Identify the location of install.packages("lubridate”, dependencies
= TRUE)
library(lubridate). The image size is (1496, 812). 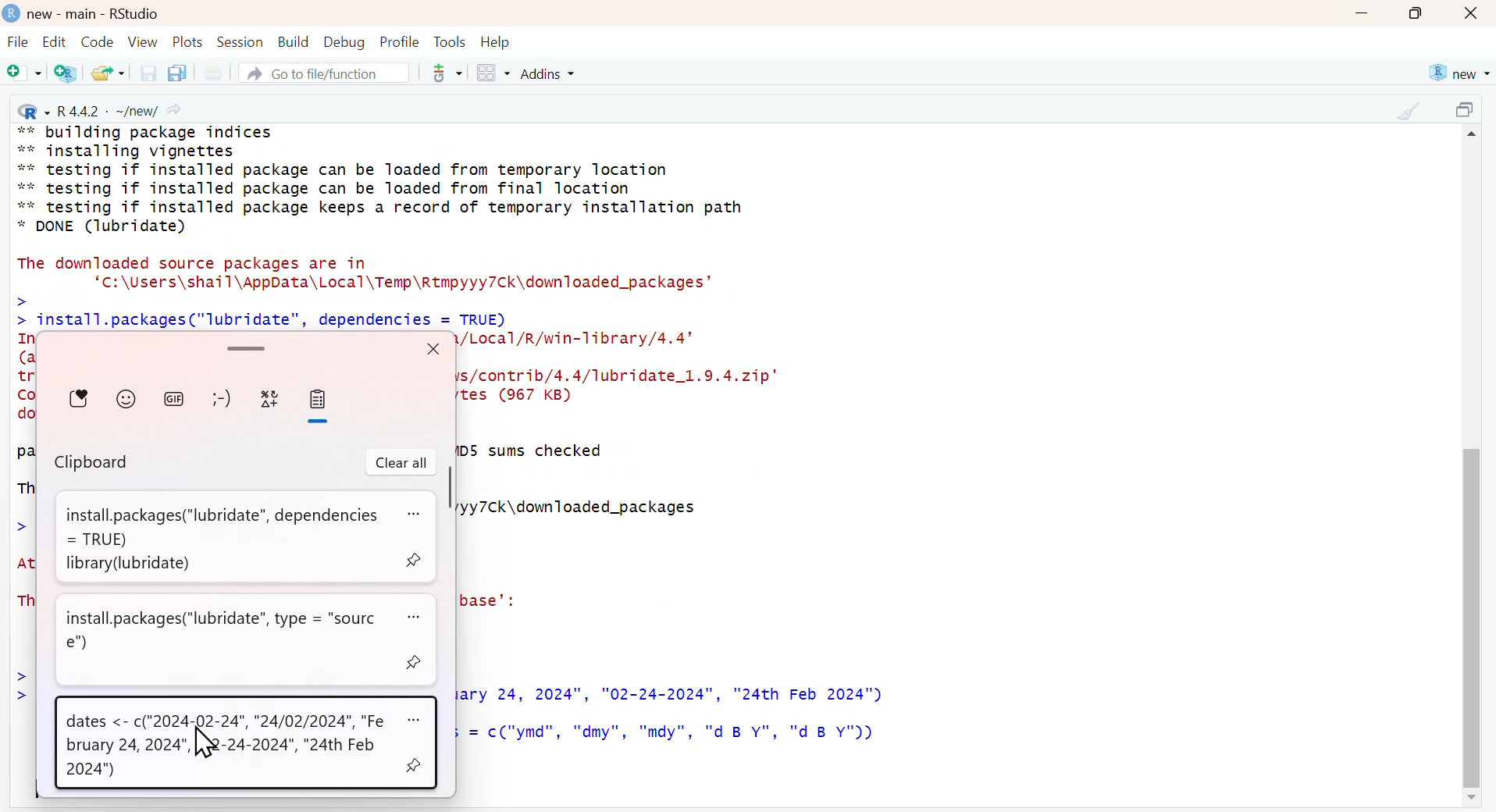
(217, 537).